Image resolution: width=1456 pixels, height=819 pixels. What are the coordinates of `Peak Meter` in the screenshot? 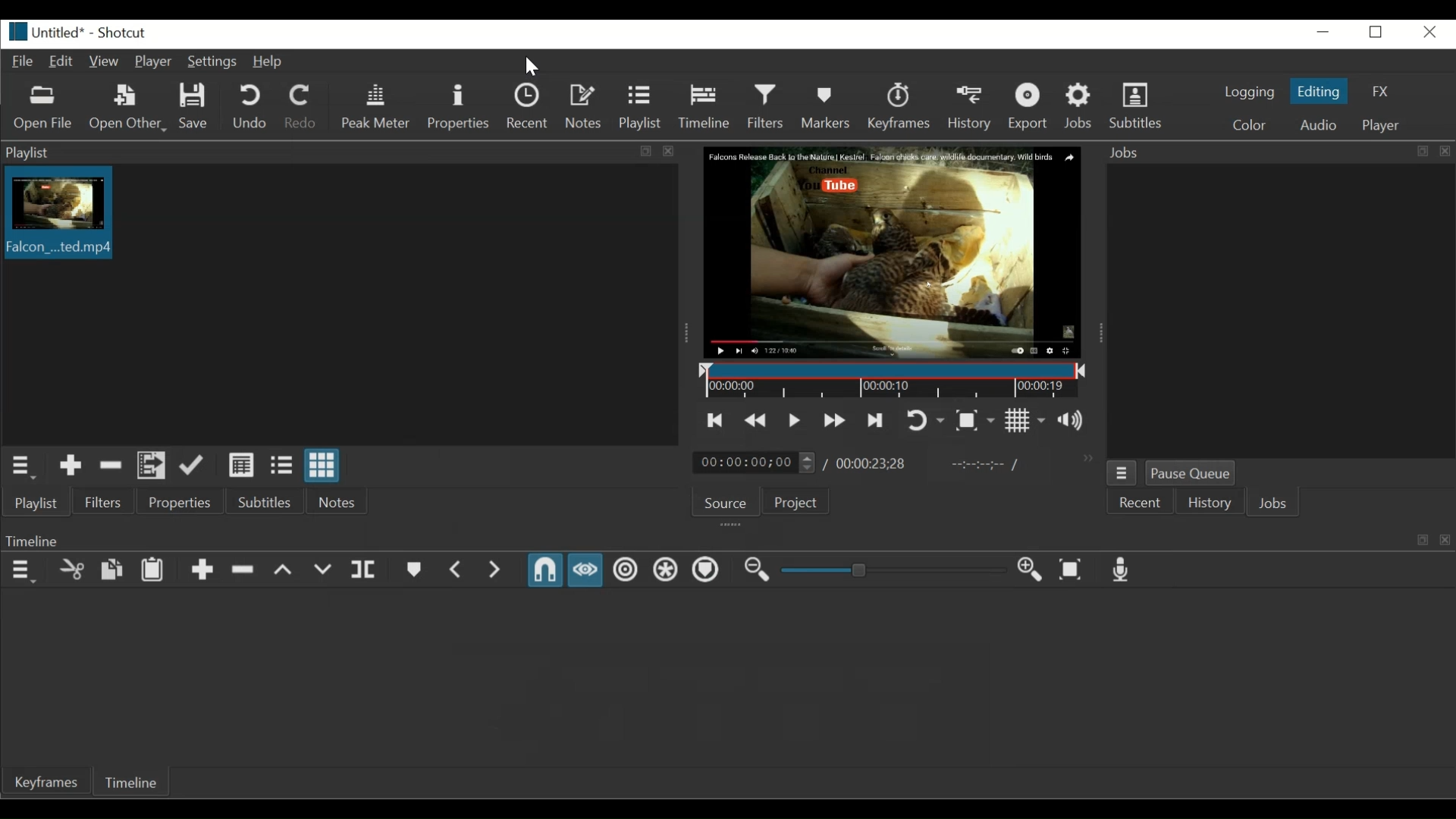 It's located at (376, 107).